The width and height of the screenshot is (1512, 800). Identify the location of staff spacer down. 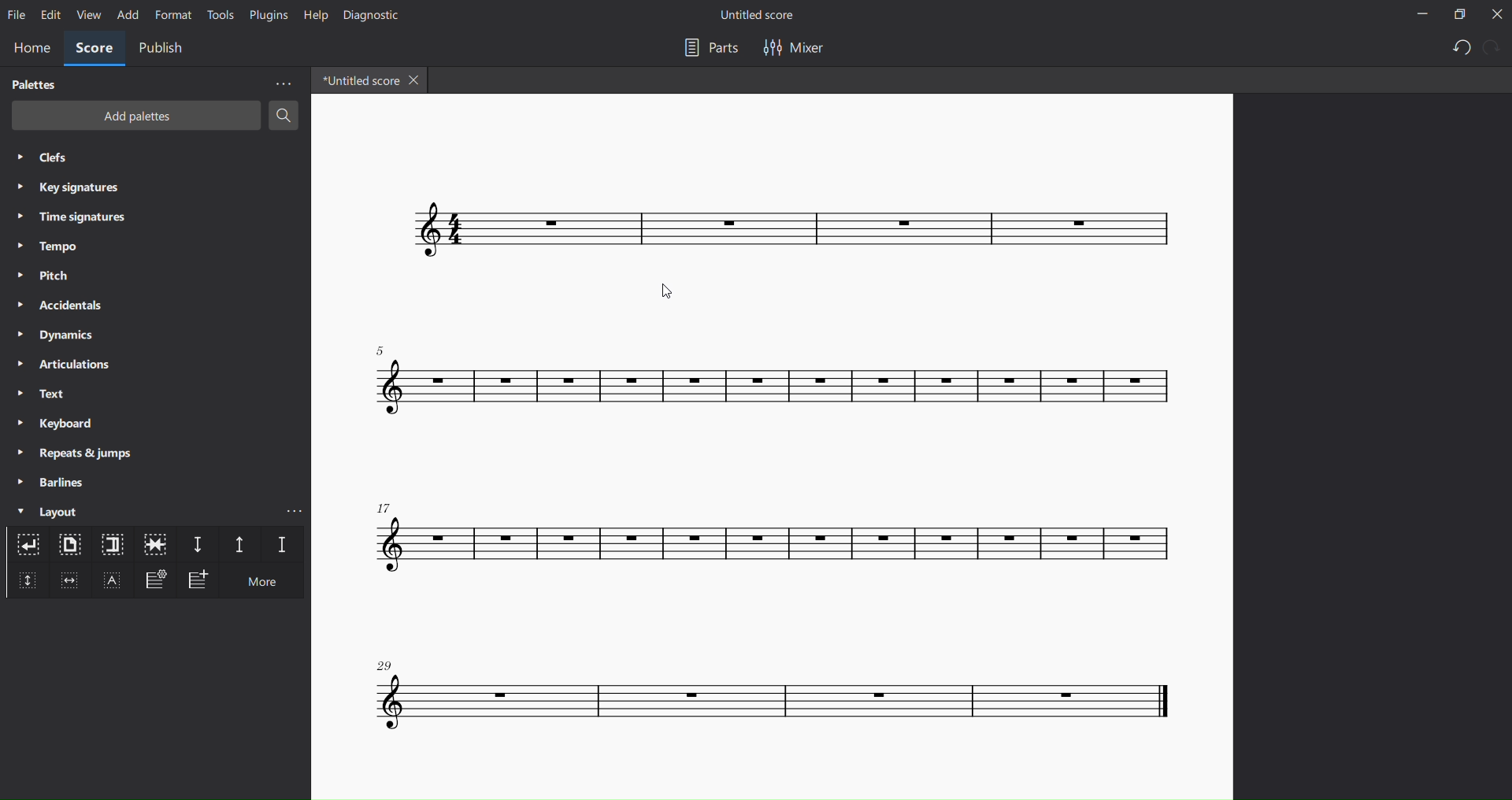
(197, 546).